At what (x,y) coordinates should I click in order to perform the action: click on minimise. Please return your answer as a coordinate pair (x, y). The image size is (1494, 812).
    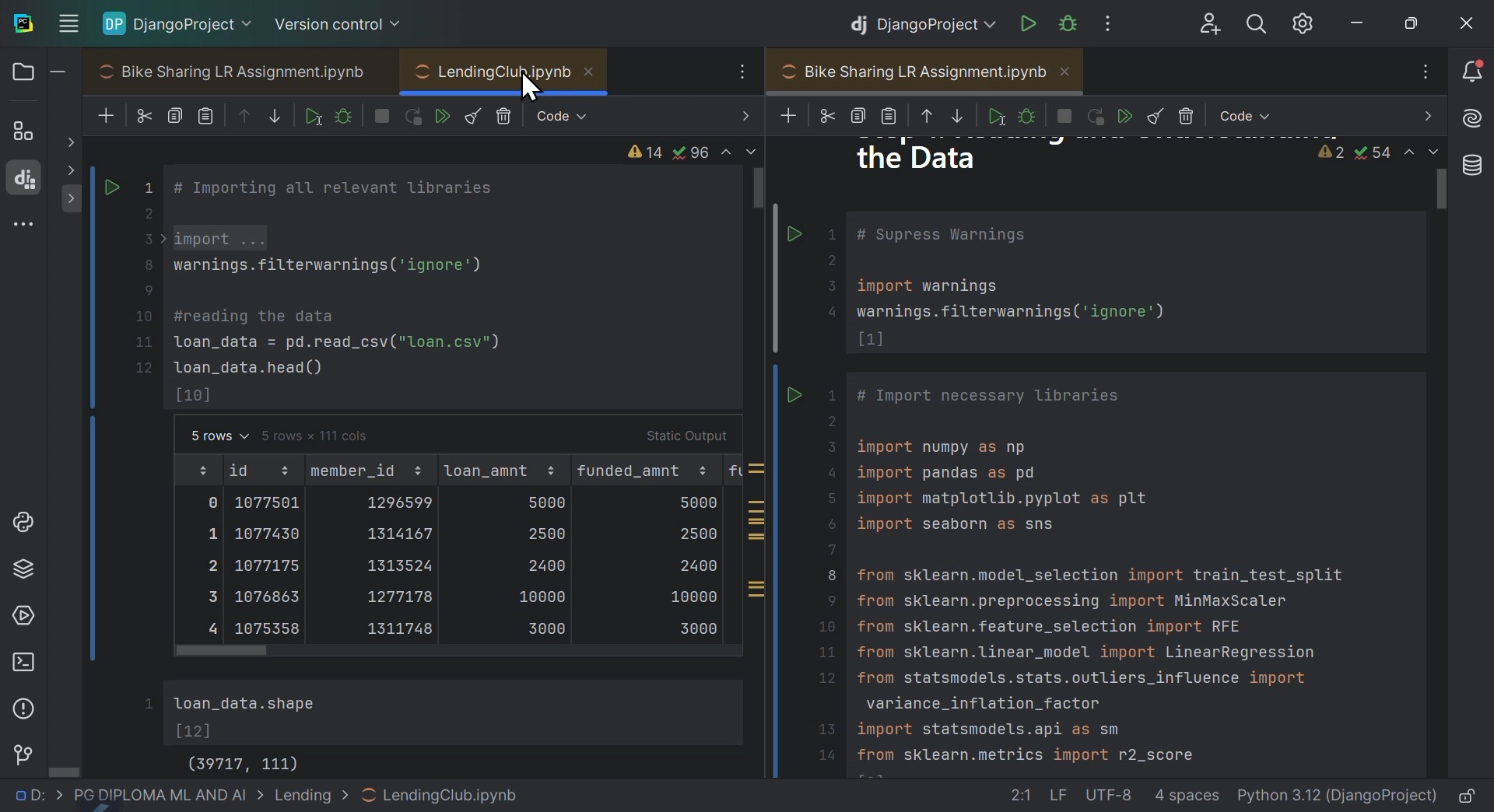
    Looking at the image, I should click on (1359, 19).